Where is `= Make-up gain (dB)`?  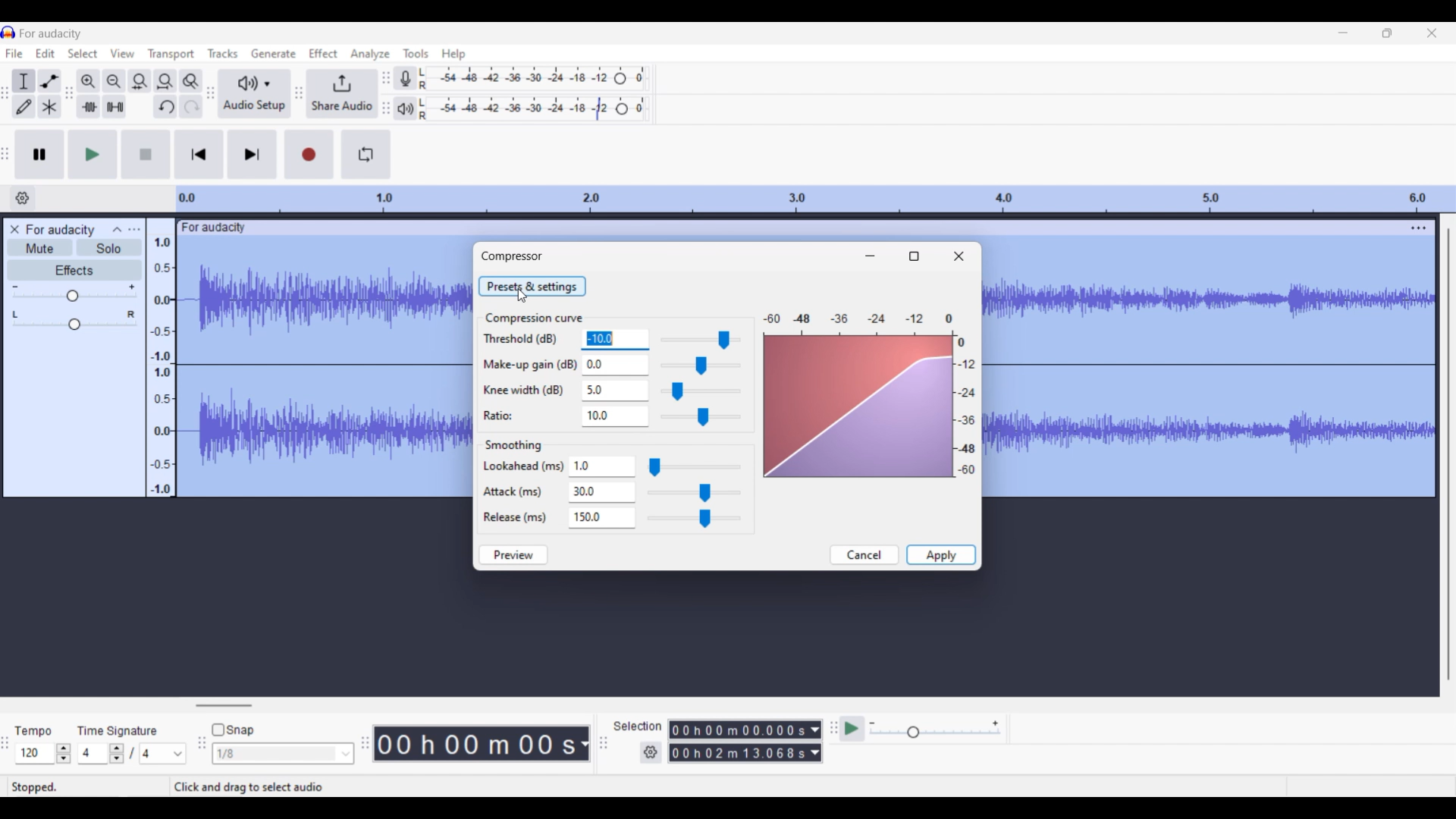 = Make-up gain (dB) is located at coordinates (532, 364).